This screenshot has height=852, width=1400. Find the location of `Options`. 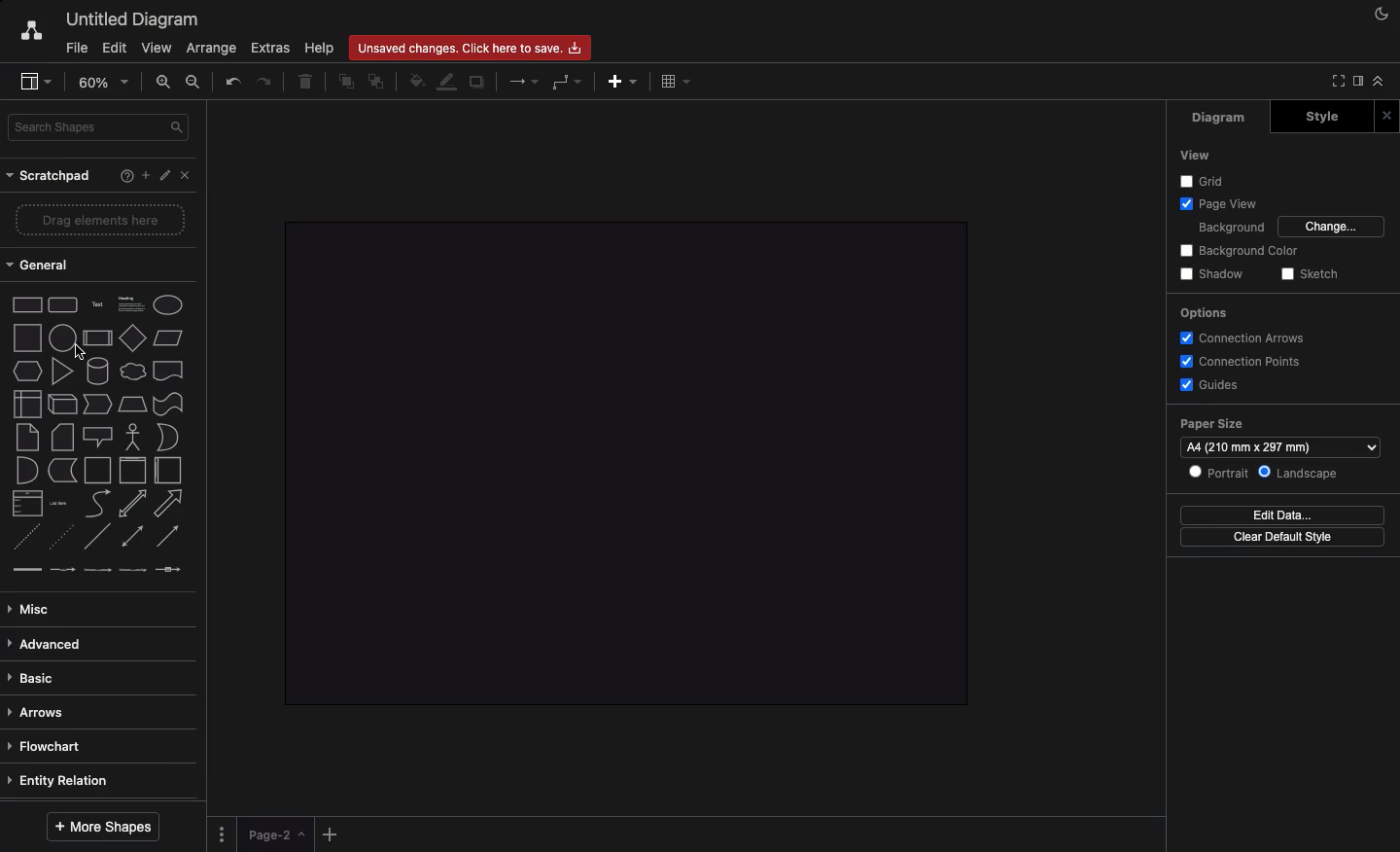

Options is located at coordinates (222, 833).